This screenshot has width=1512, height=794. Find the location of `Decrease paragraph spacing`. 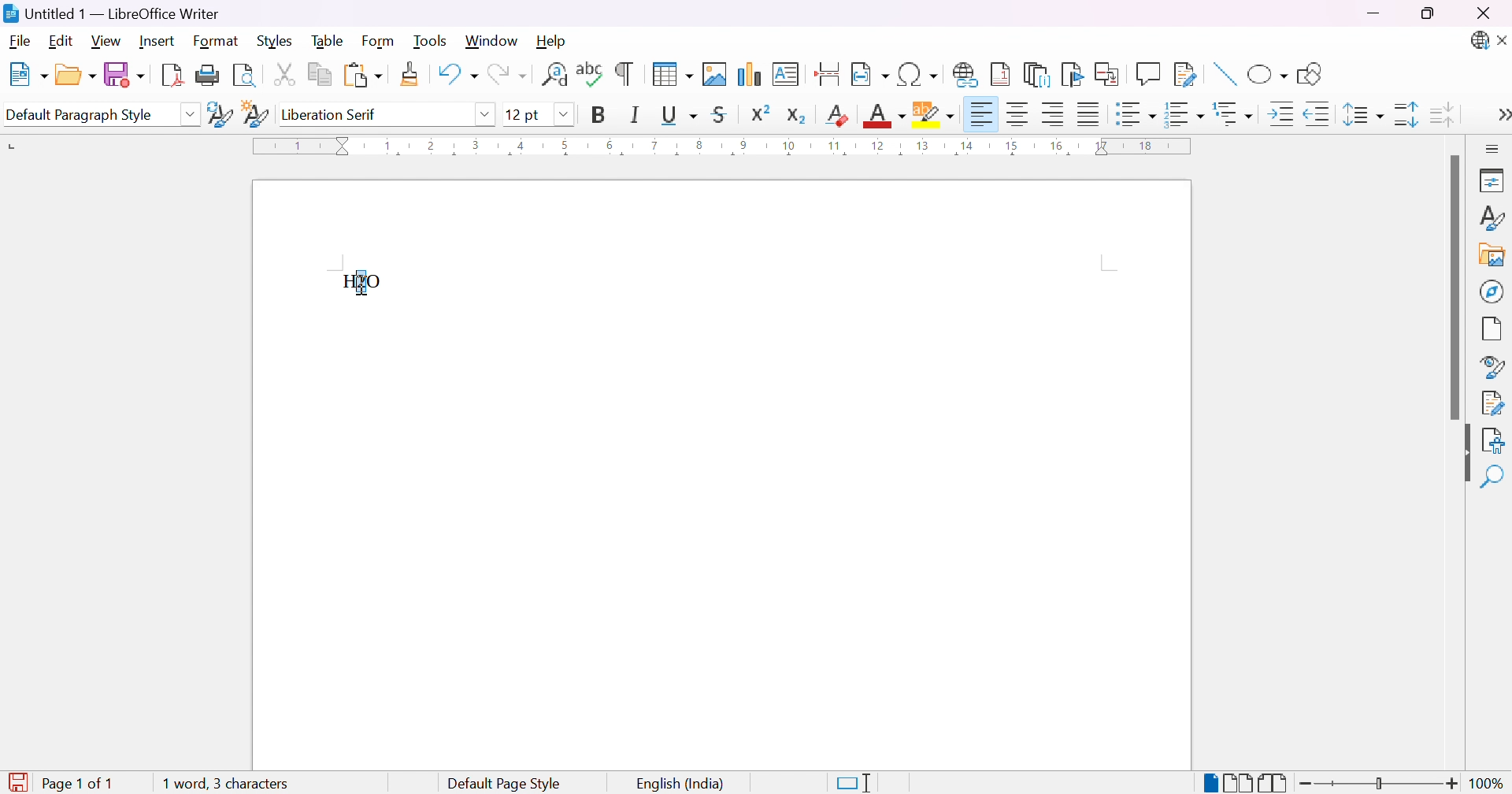

Decrease paragraph spacing is located at coordinates (1440, 113).